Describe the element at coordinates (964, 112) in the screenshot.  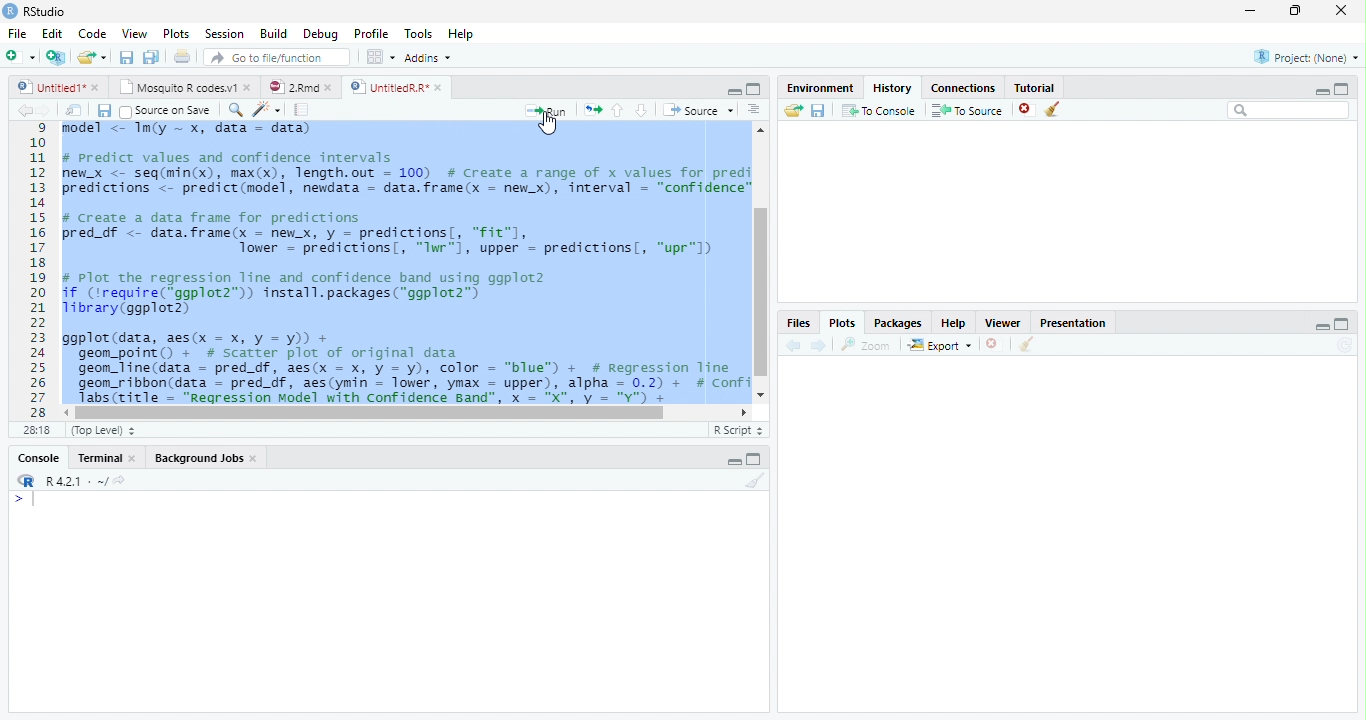
I see `To Source` at that location.